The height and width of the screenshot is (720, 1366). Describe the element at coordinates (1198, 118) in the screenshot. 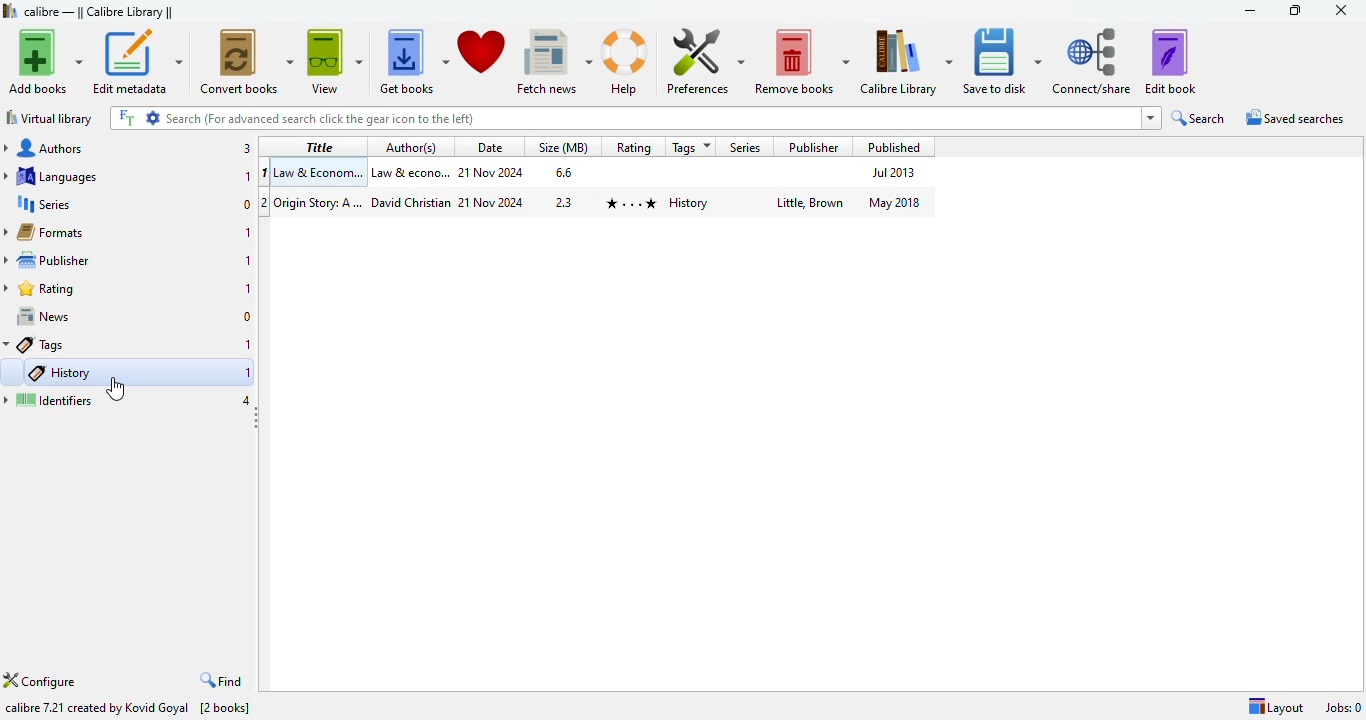

I see `search` at that location.